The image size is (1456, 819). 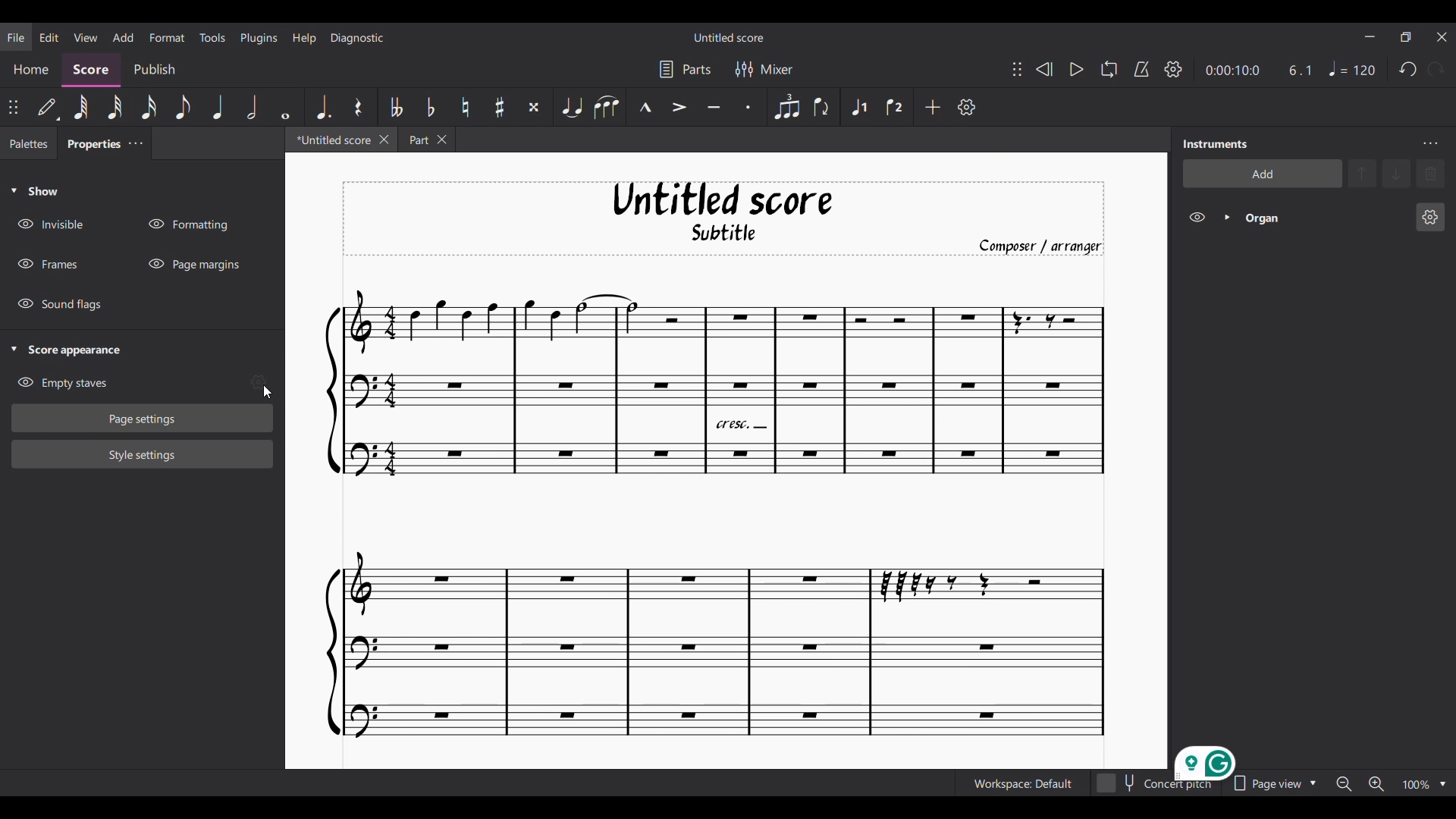 I want to click on untitled score, so click(x=334, y=140).